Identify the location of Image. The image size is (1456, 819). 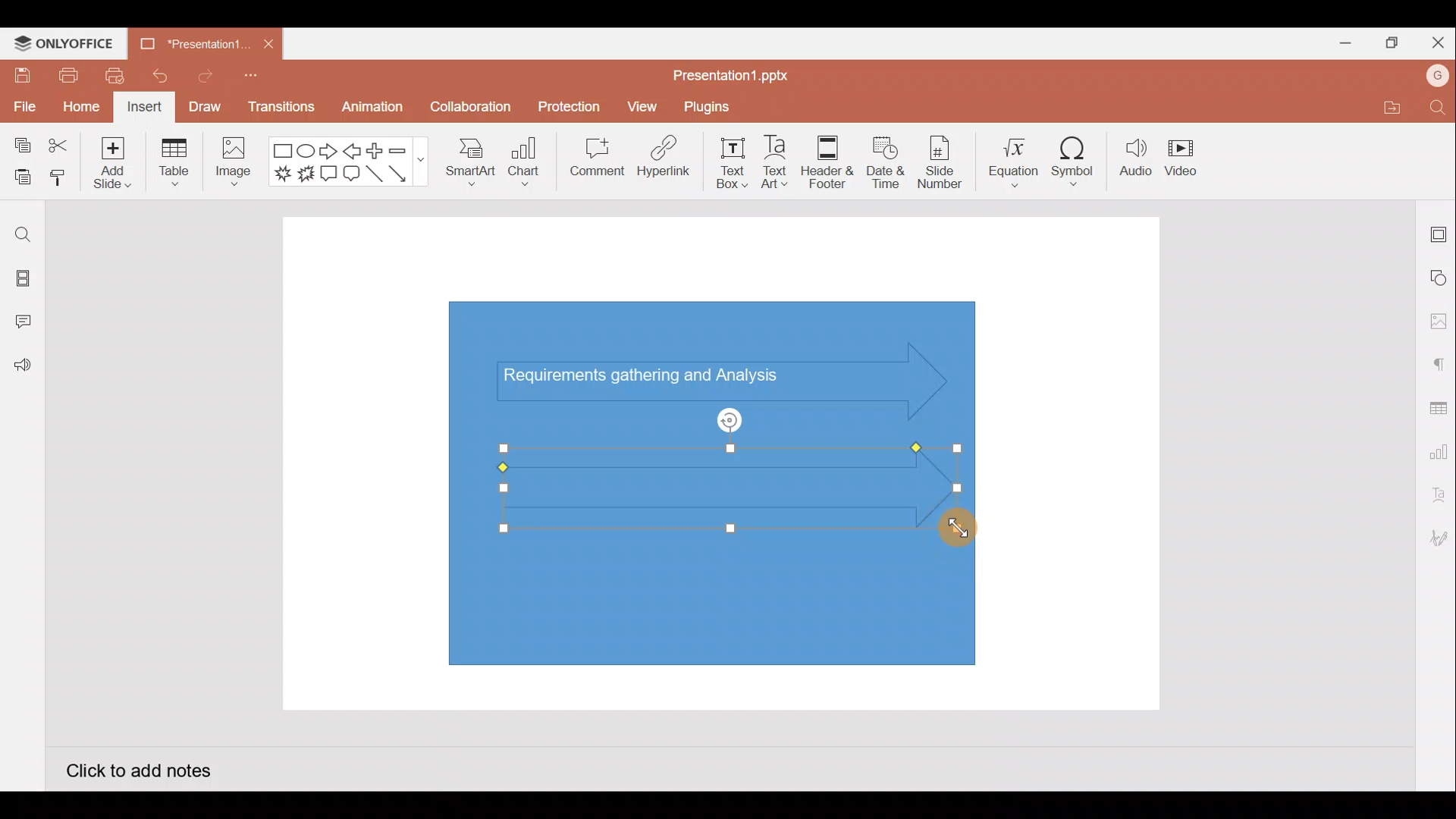
(231, 165).